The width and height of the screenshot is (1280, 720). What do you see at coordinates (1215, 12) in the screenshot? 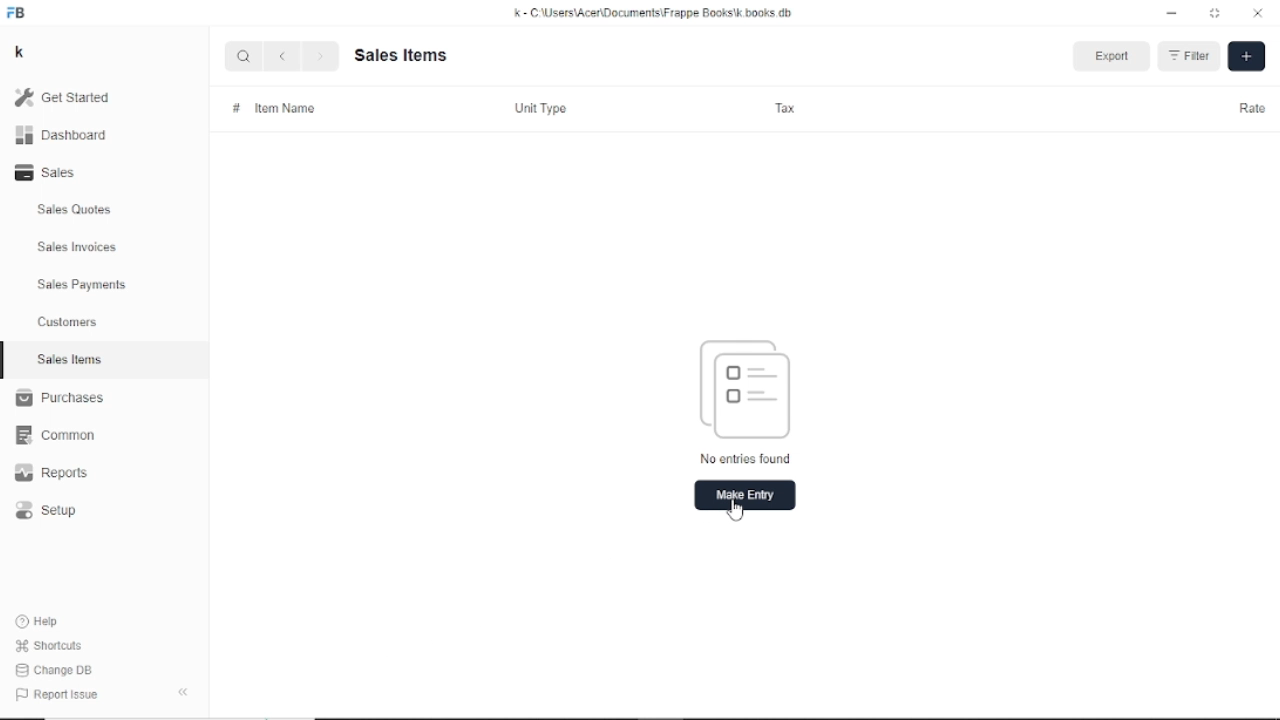
I see `Toggle between form and full width` at bounding box center [1215, 12].